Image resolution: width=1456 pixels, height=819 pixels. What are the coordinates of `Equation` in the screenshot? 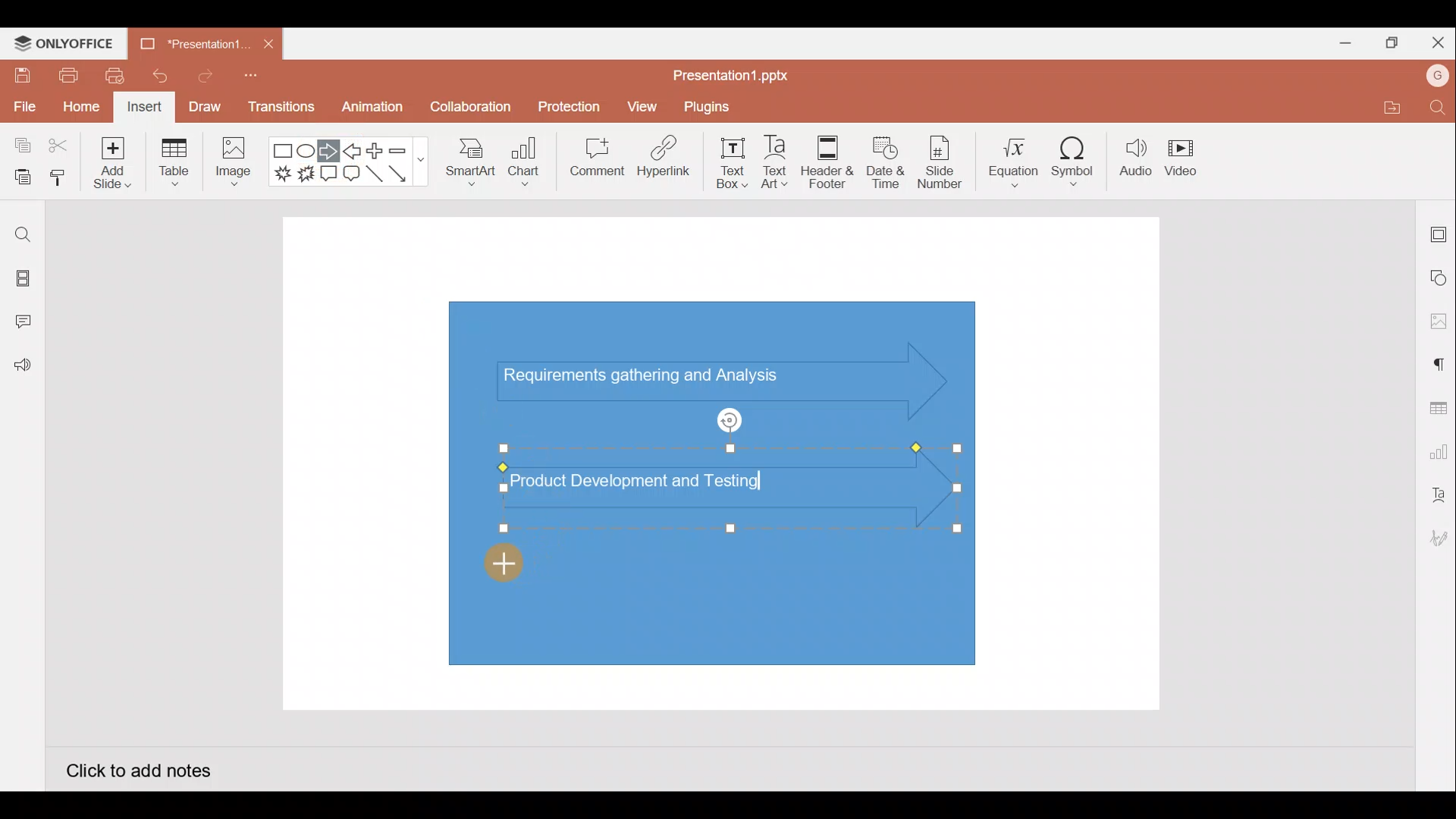 It's located at (1015, 157).